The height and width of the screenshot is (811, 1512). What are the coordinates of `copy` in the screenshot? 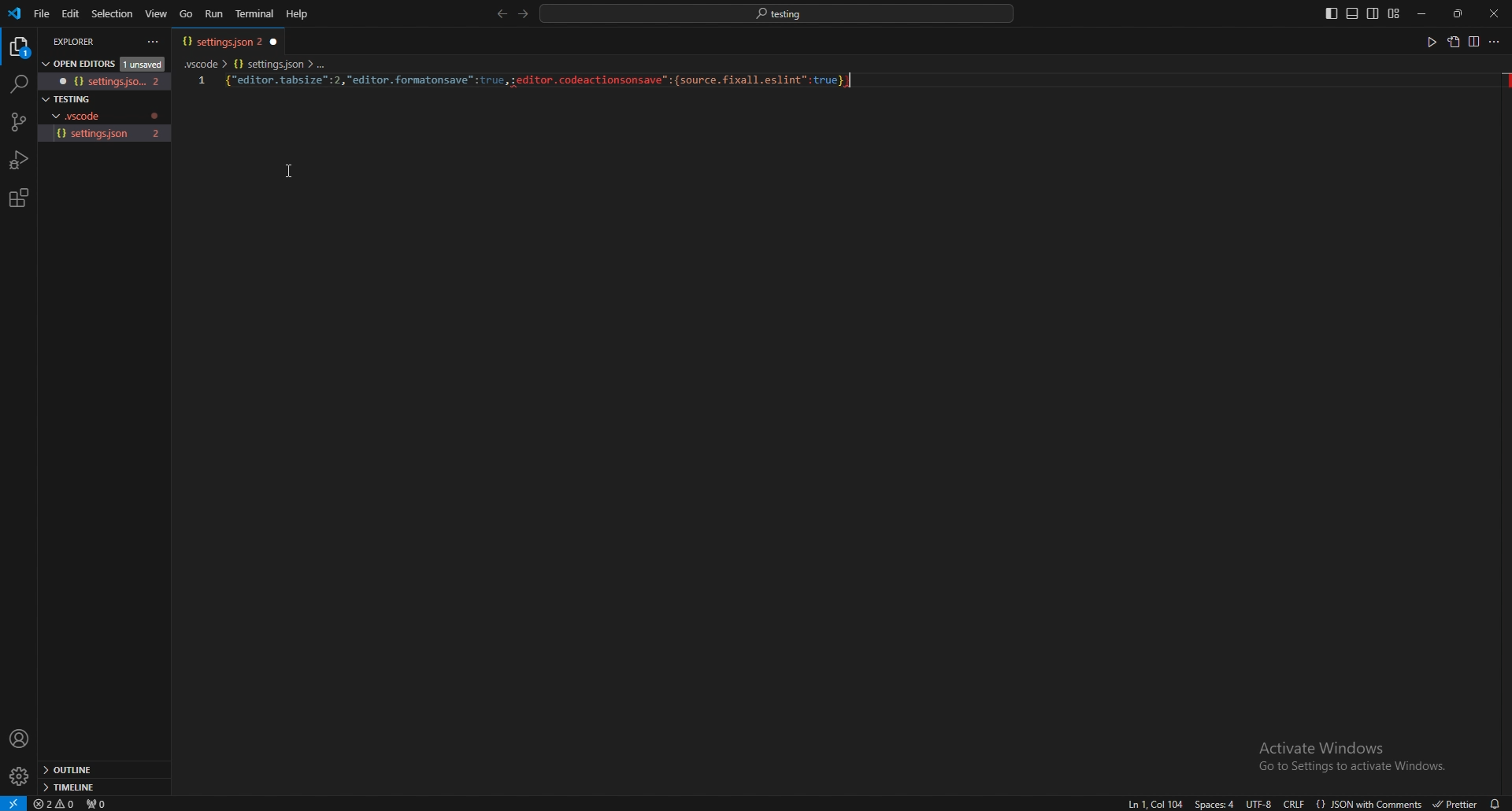 It's located at (1451, 45).